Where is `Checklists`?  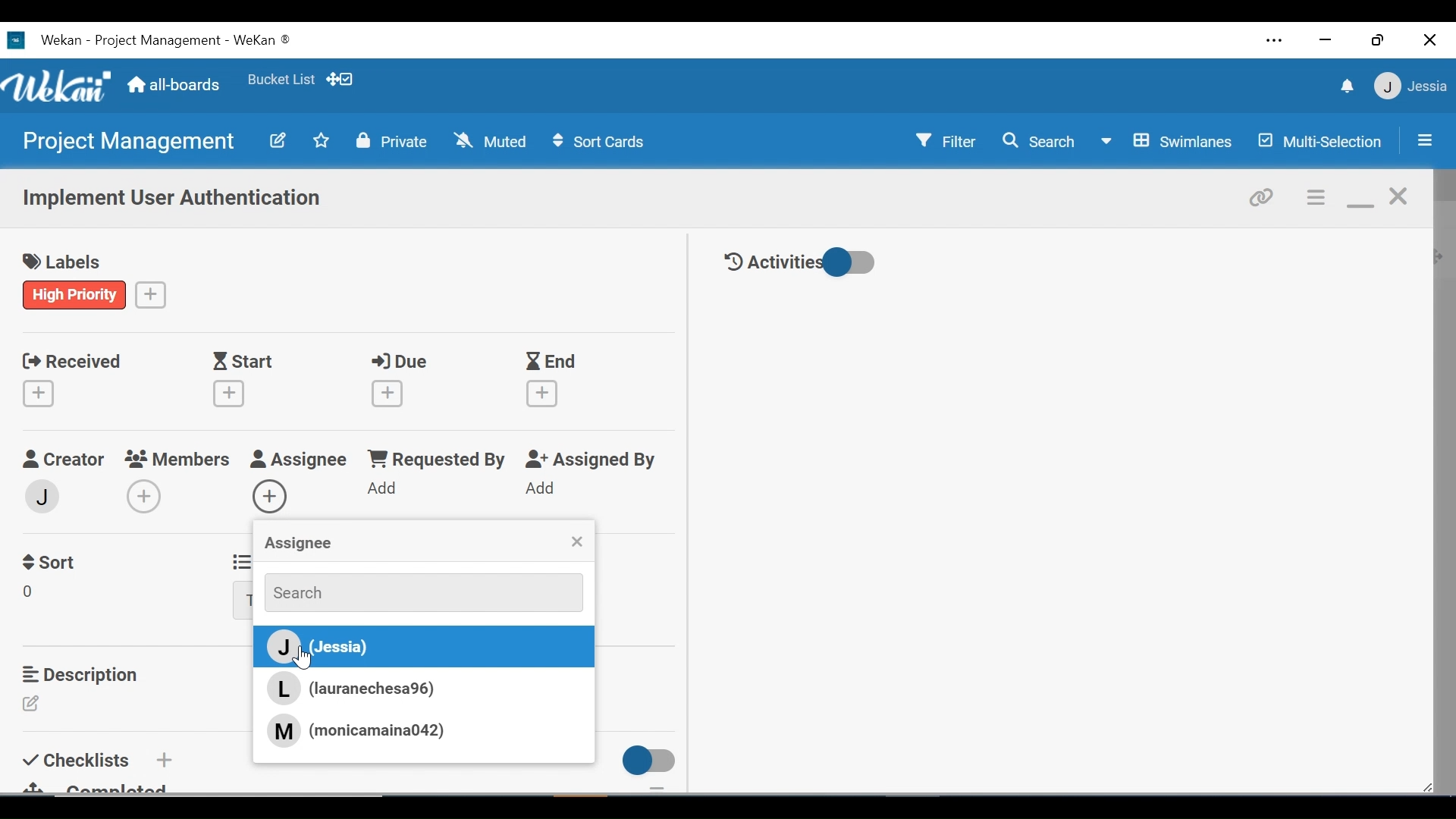
Checklists is located at coordinates (79, 758).